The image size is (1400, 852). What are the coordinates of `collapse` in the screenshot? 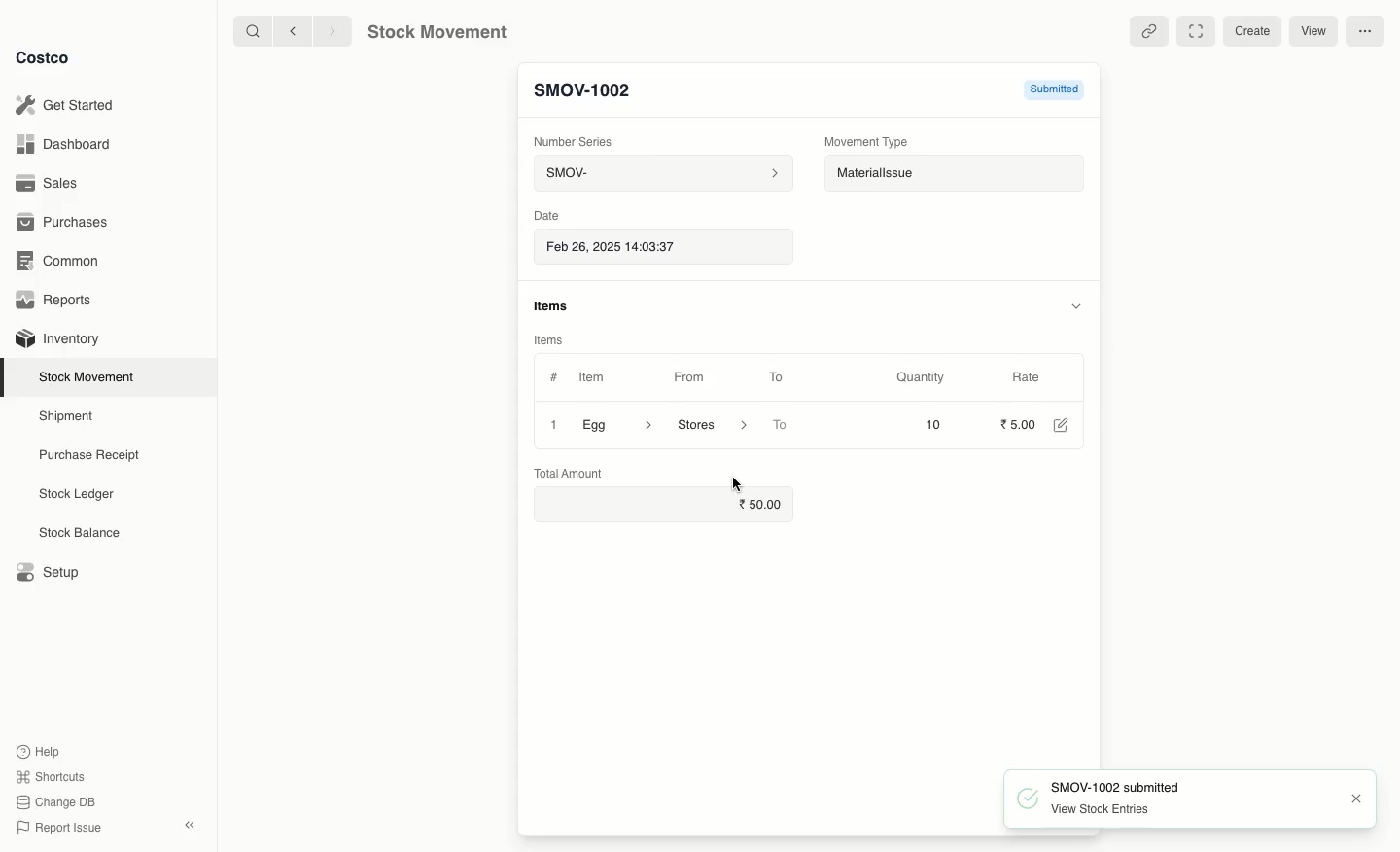 It's located at (189, 824).